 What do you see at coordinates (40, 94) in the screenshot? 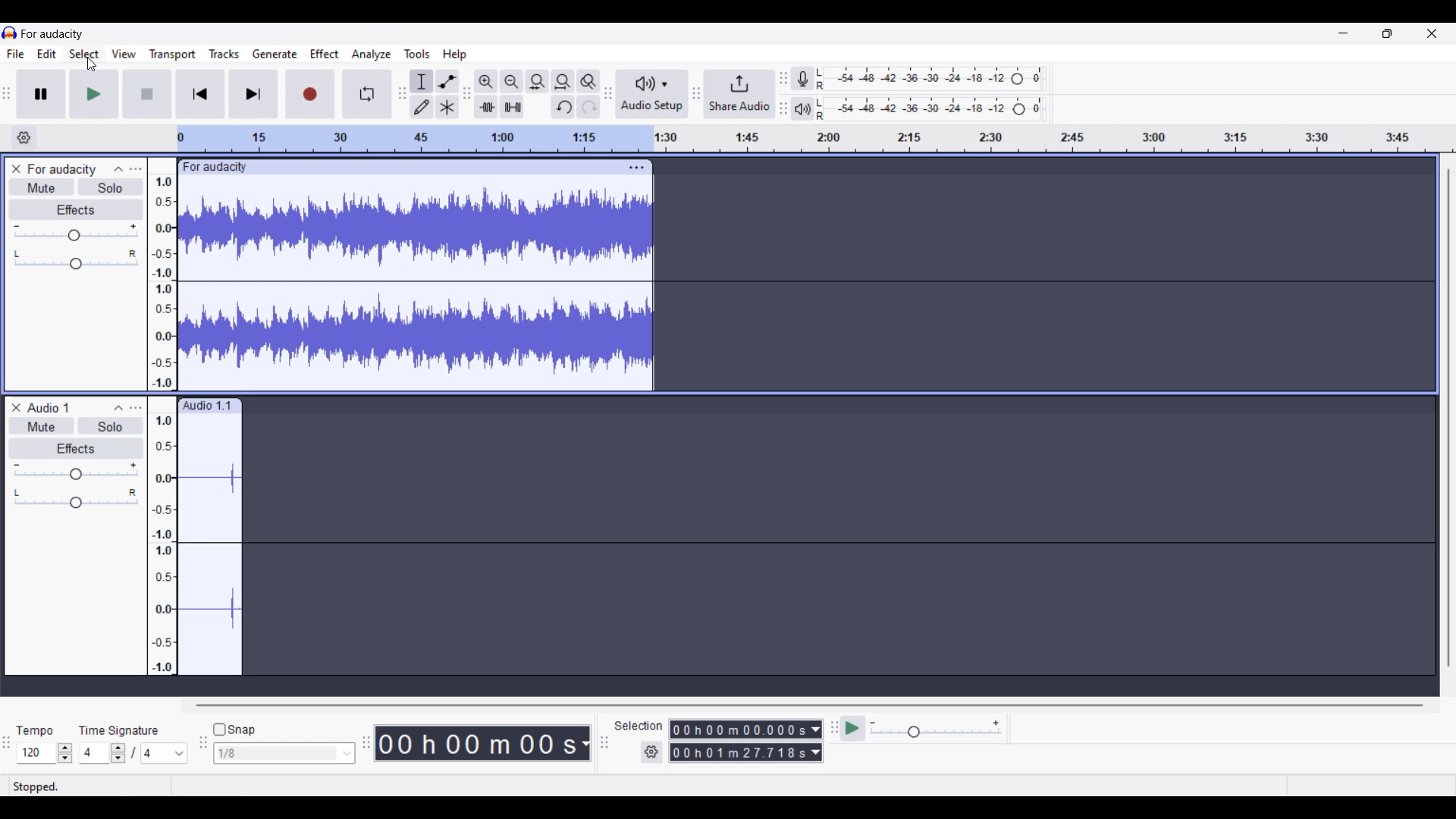
I see `Pause` at bounding box center [40, 94].